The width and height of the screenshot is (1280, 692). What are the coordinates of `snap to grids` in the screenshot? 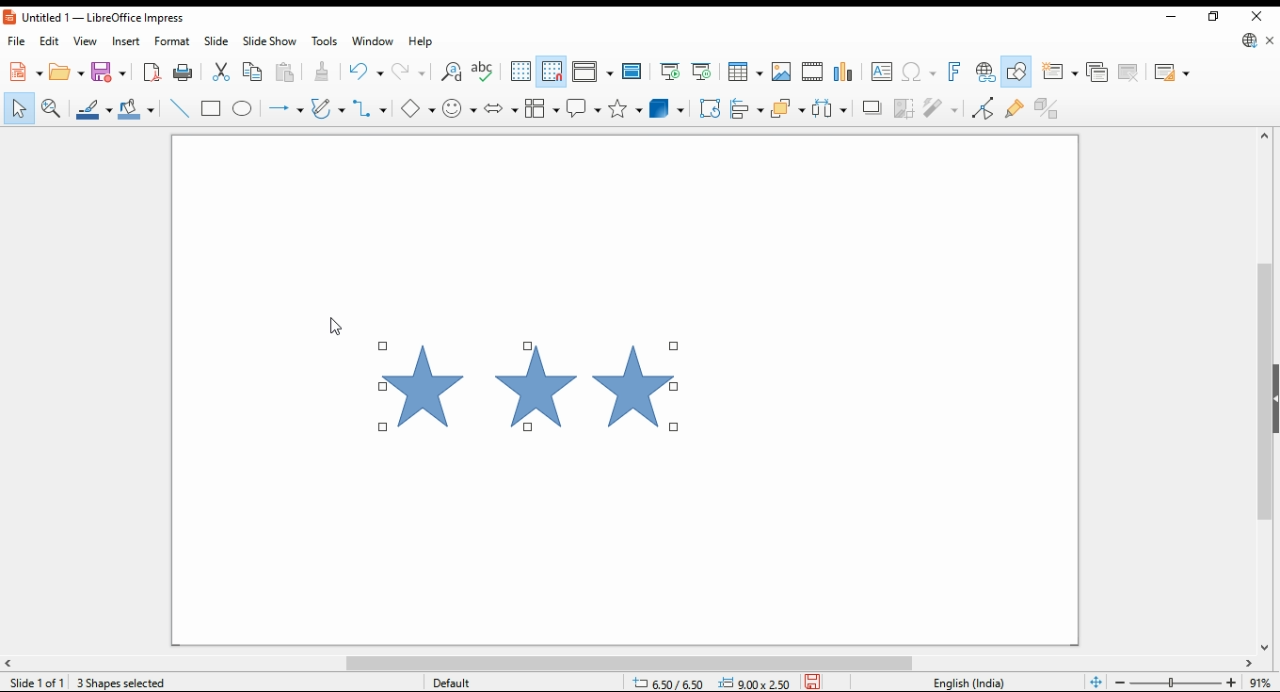 It's located at (552, 73).